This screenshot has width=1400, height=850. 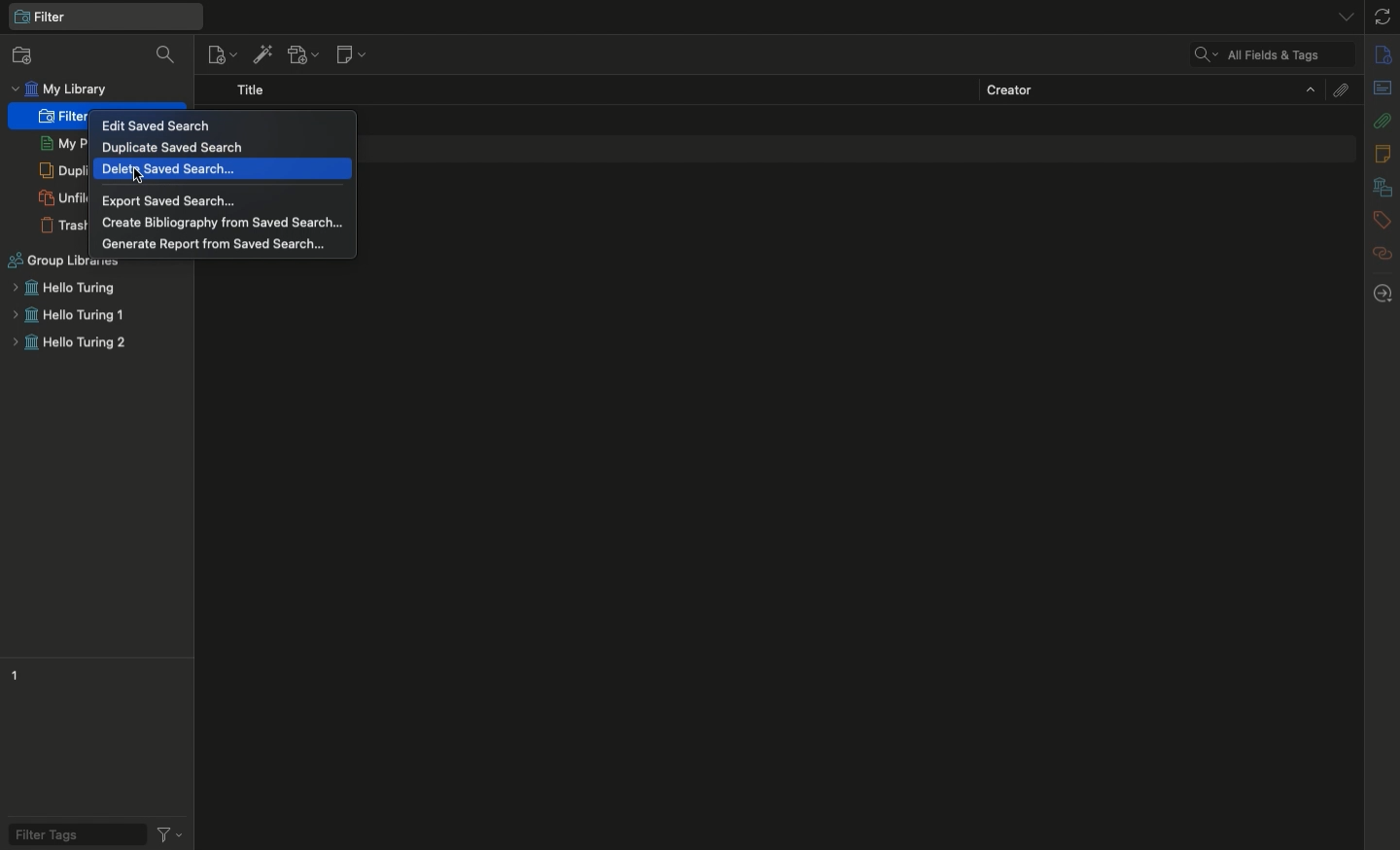 What do you see at coordinates (301, 56) in the screenshot?
I see `Add attachment` at bounding box center [301, 56].